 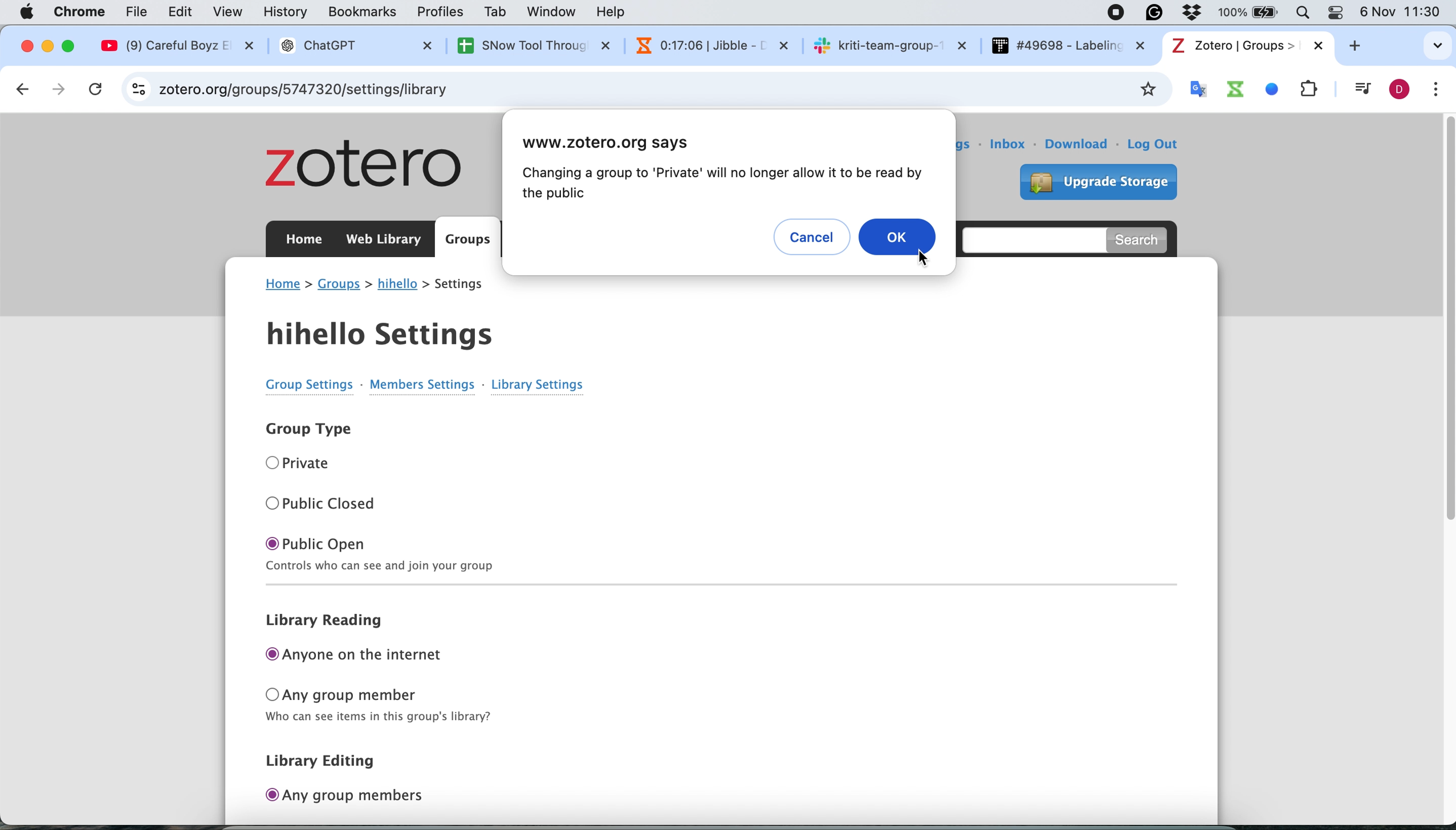 What do you see at coordinates (353, 46) in the screenshot?
I see `® ChatGPT X` at bounding box center [353, 46].